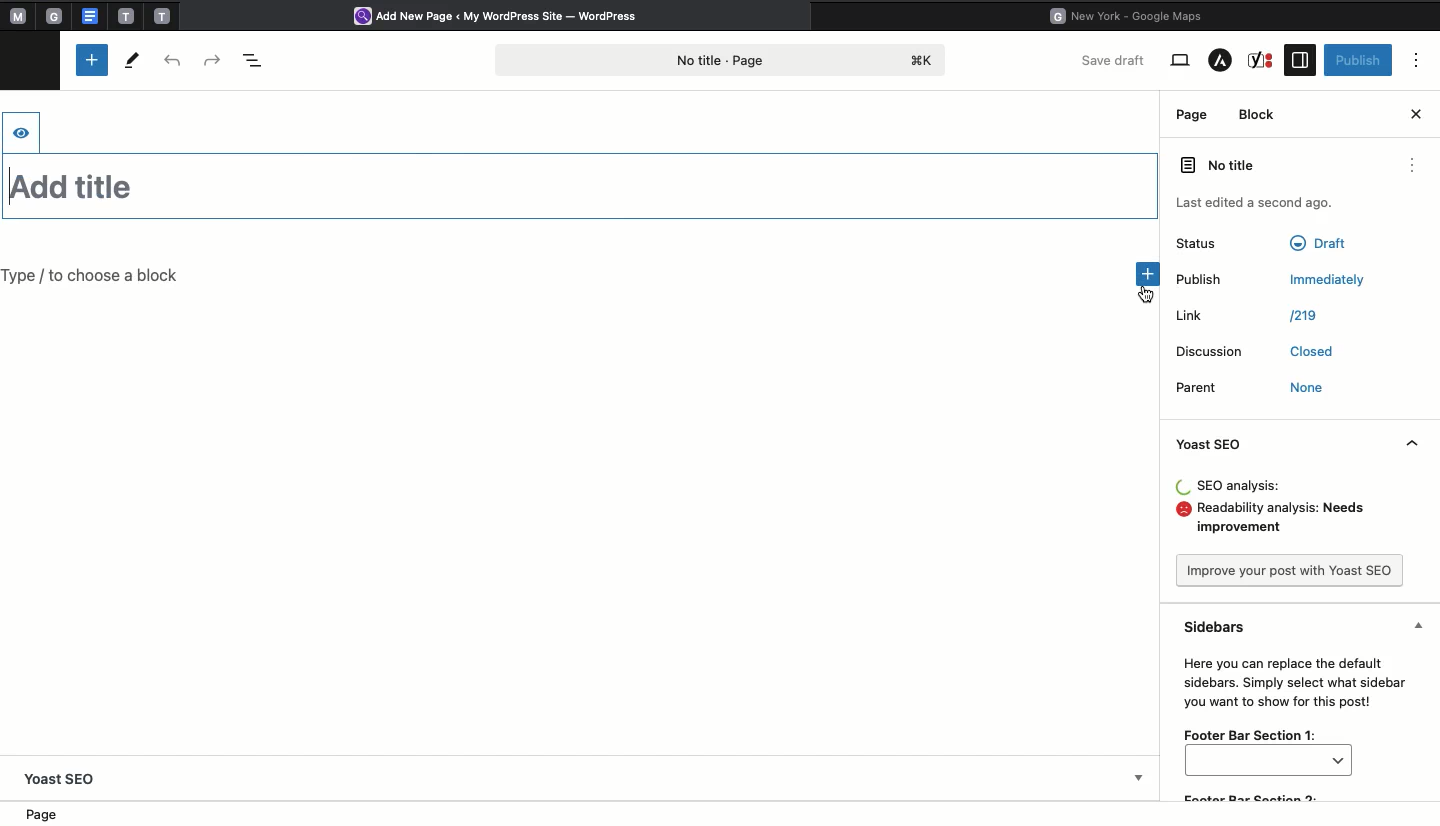  What do you see at coordinates (722, 814) in the screenshot?
I see `Location` at bounding box center [722, 814].